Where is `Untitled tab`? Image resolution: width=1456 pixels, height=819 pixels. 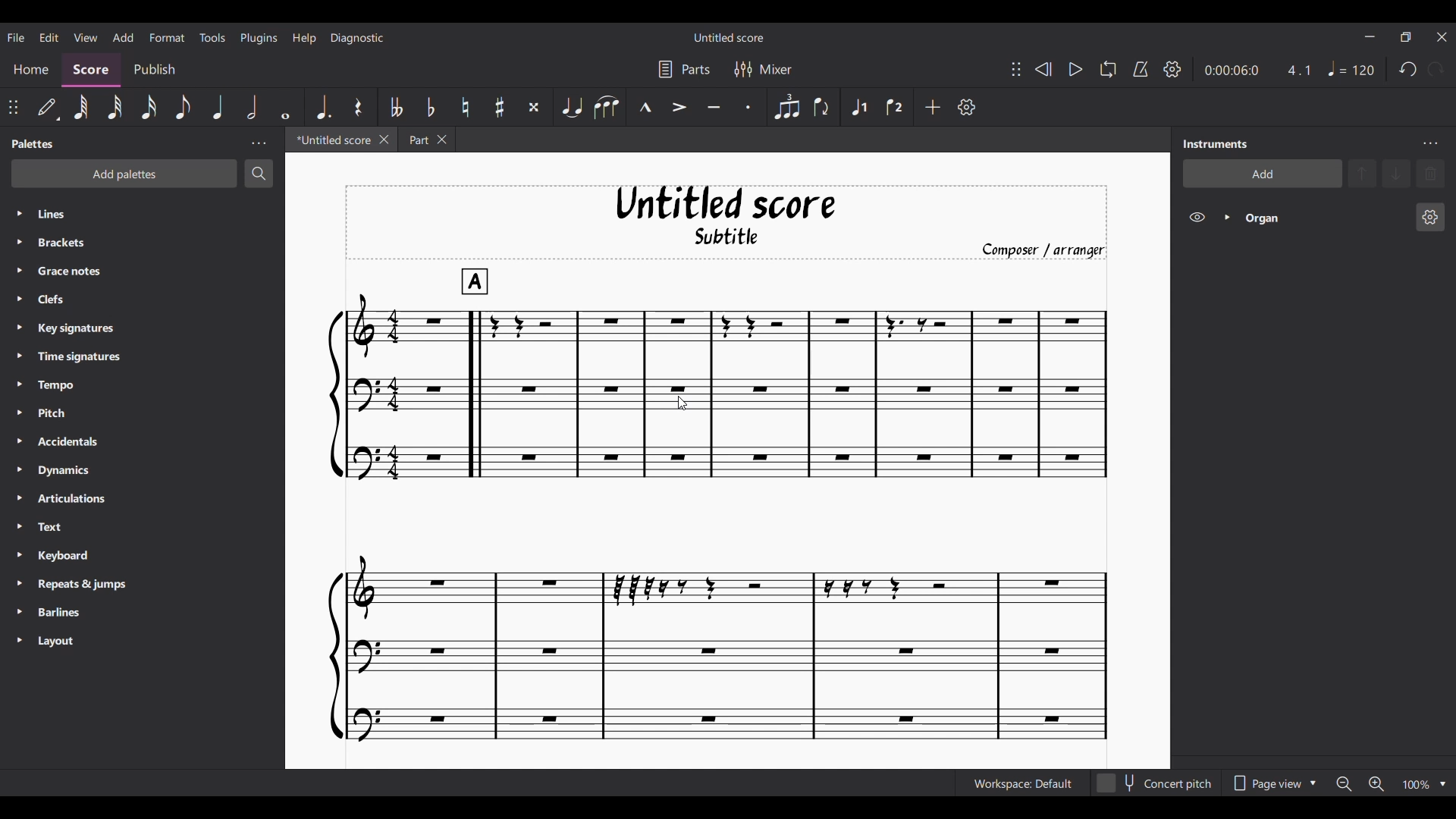 Untitled tab is located at coordinates (331, 140).